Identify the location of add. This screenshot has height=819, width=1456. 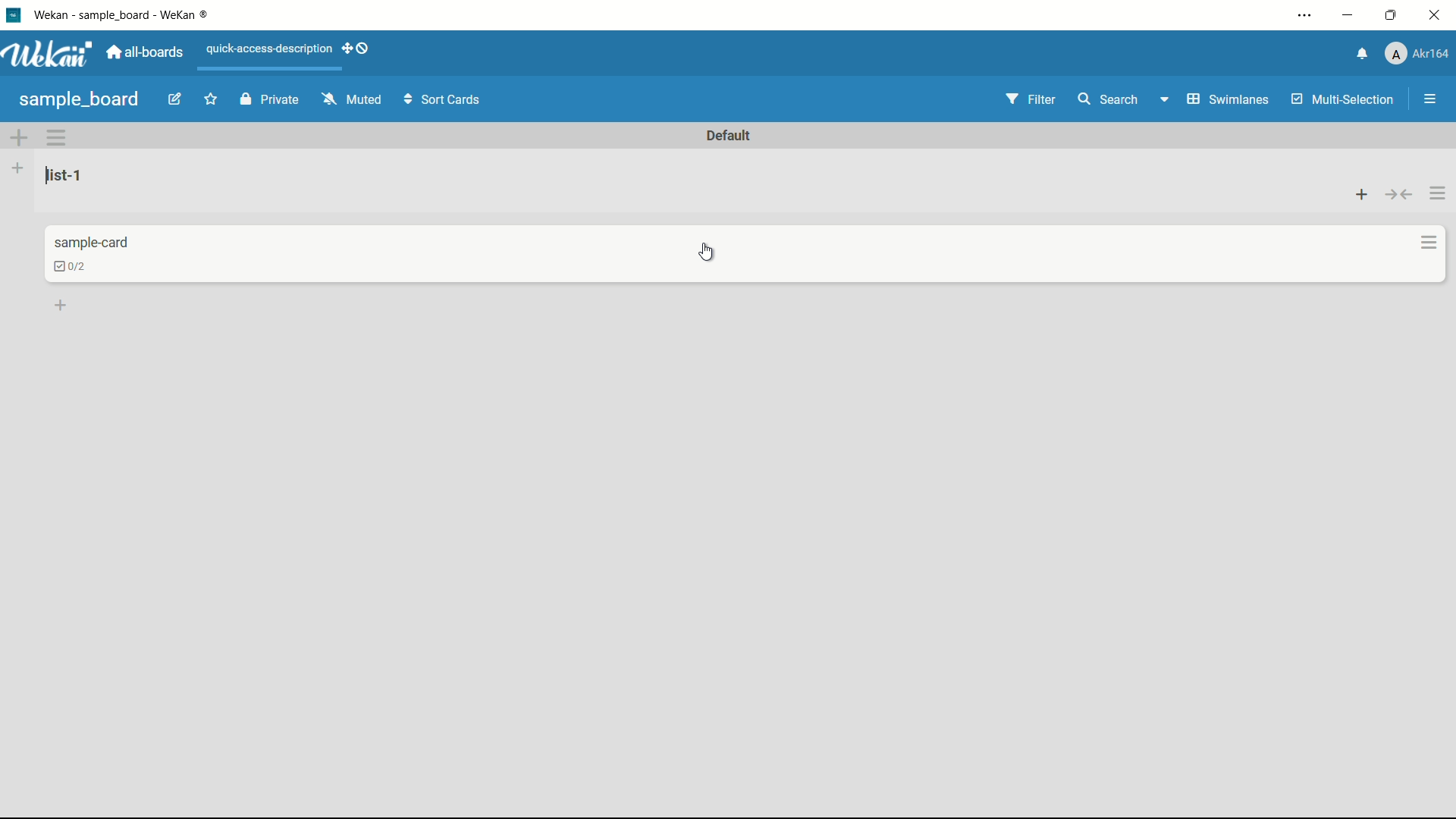
(63, 303).